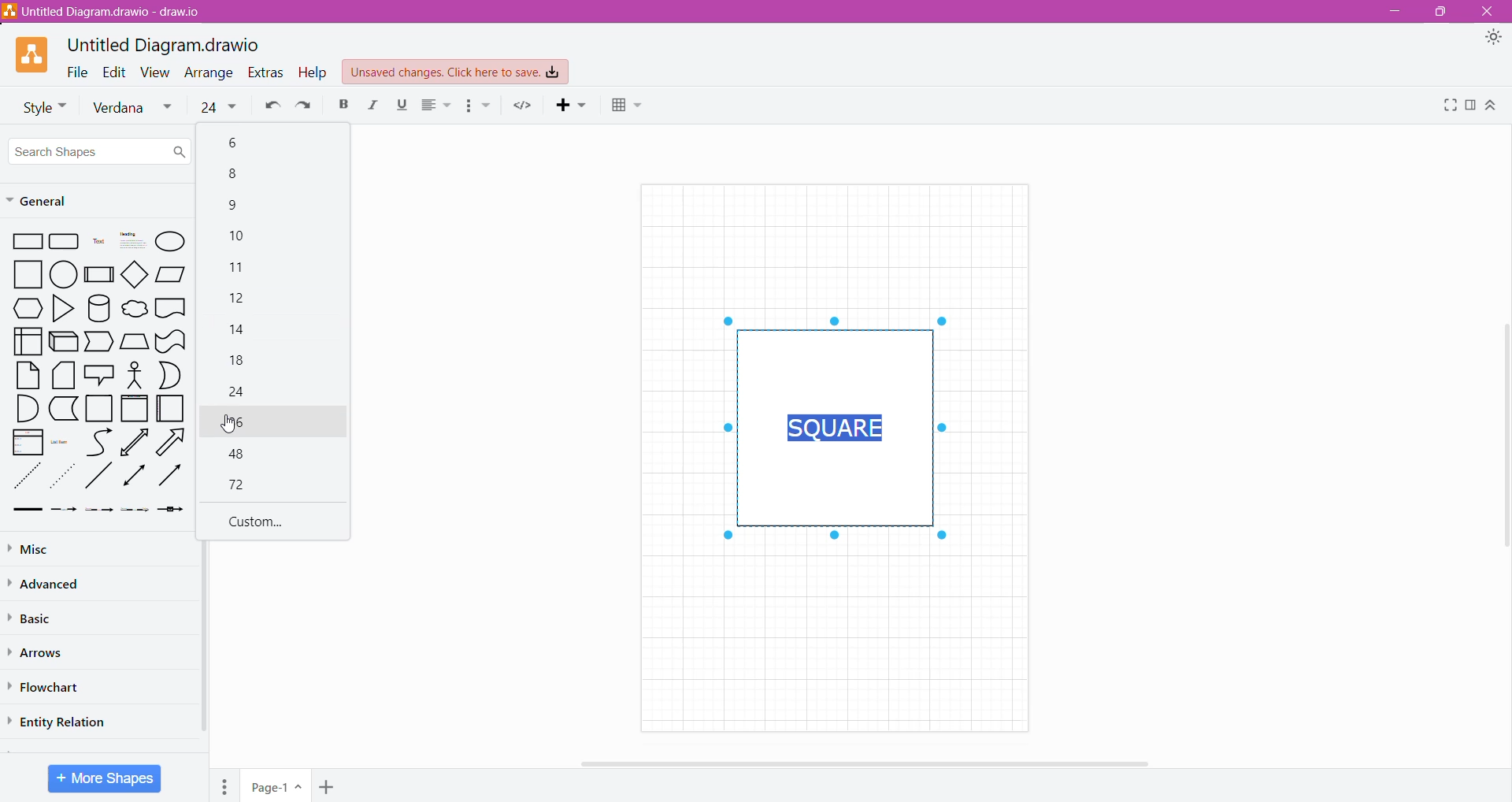 The width and height of the screenshot is (1512, 802). I want to click on cloud, so click(134, 307).